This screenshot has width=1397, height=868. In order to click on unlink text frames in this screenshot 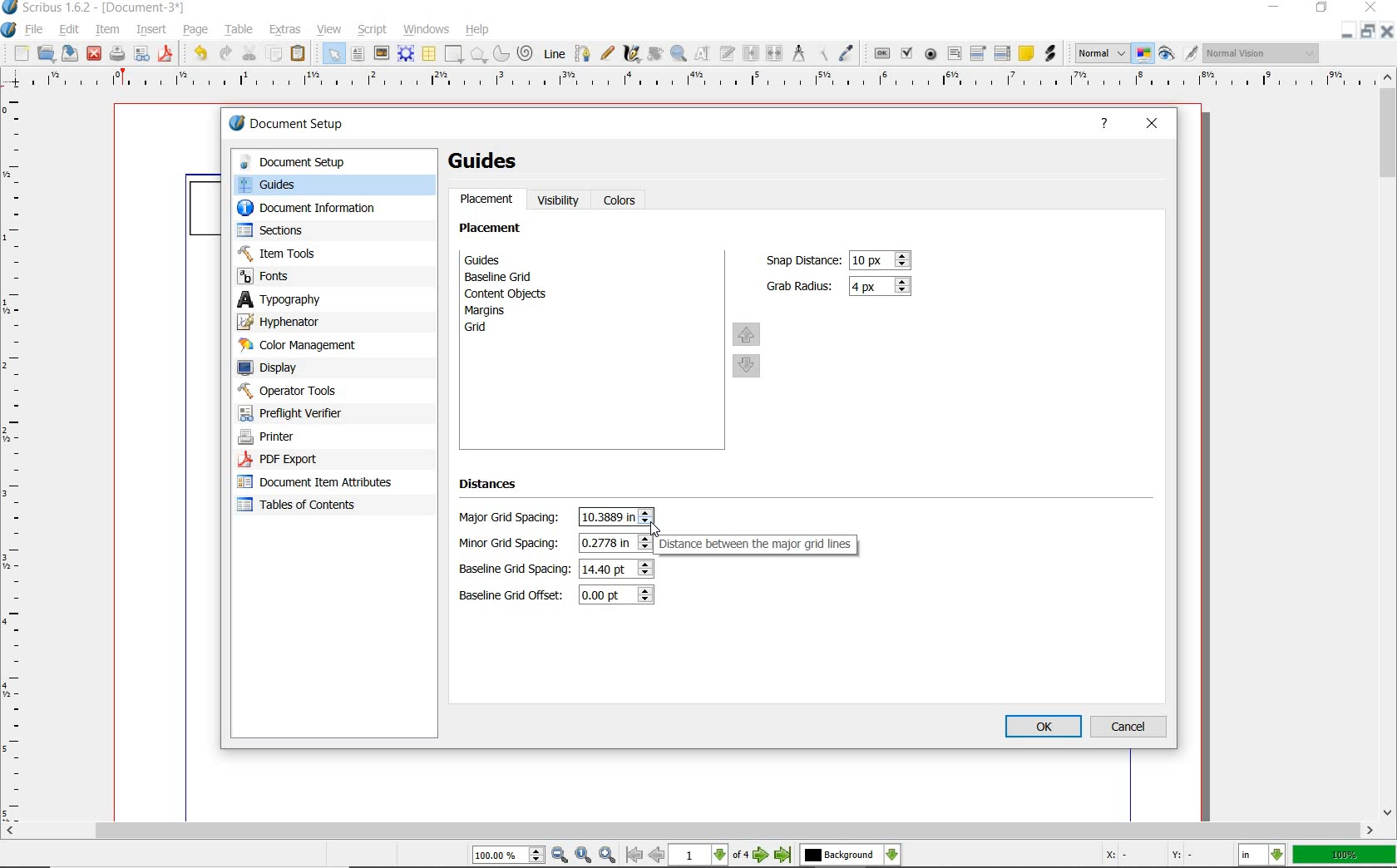, I will do `click(773, 52)`.